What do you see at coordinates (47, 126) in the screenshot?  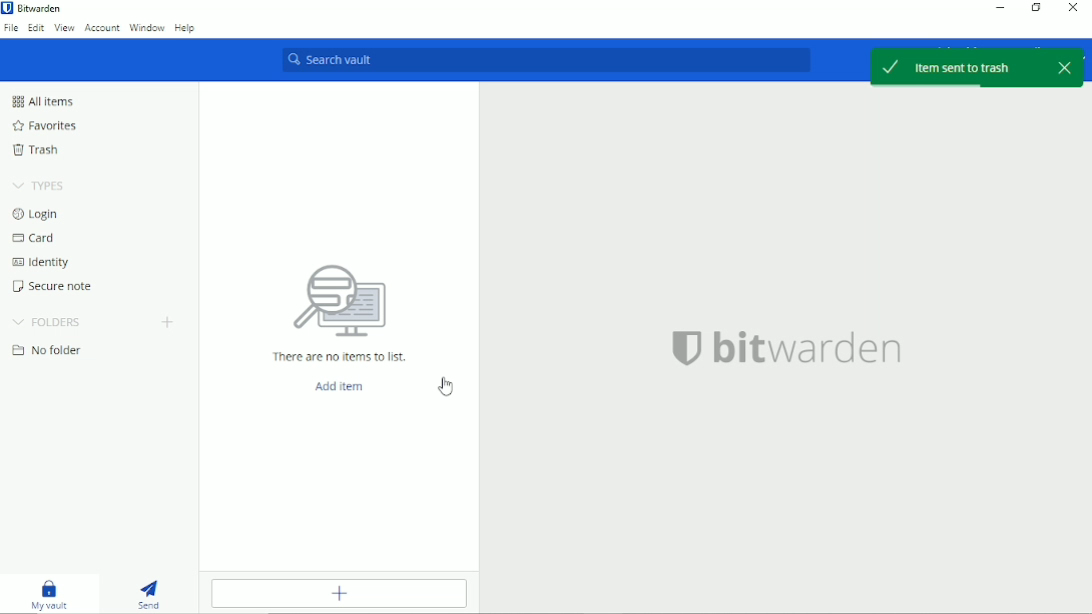 I see `Favorites` at bounding box center [47, 126].